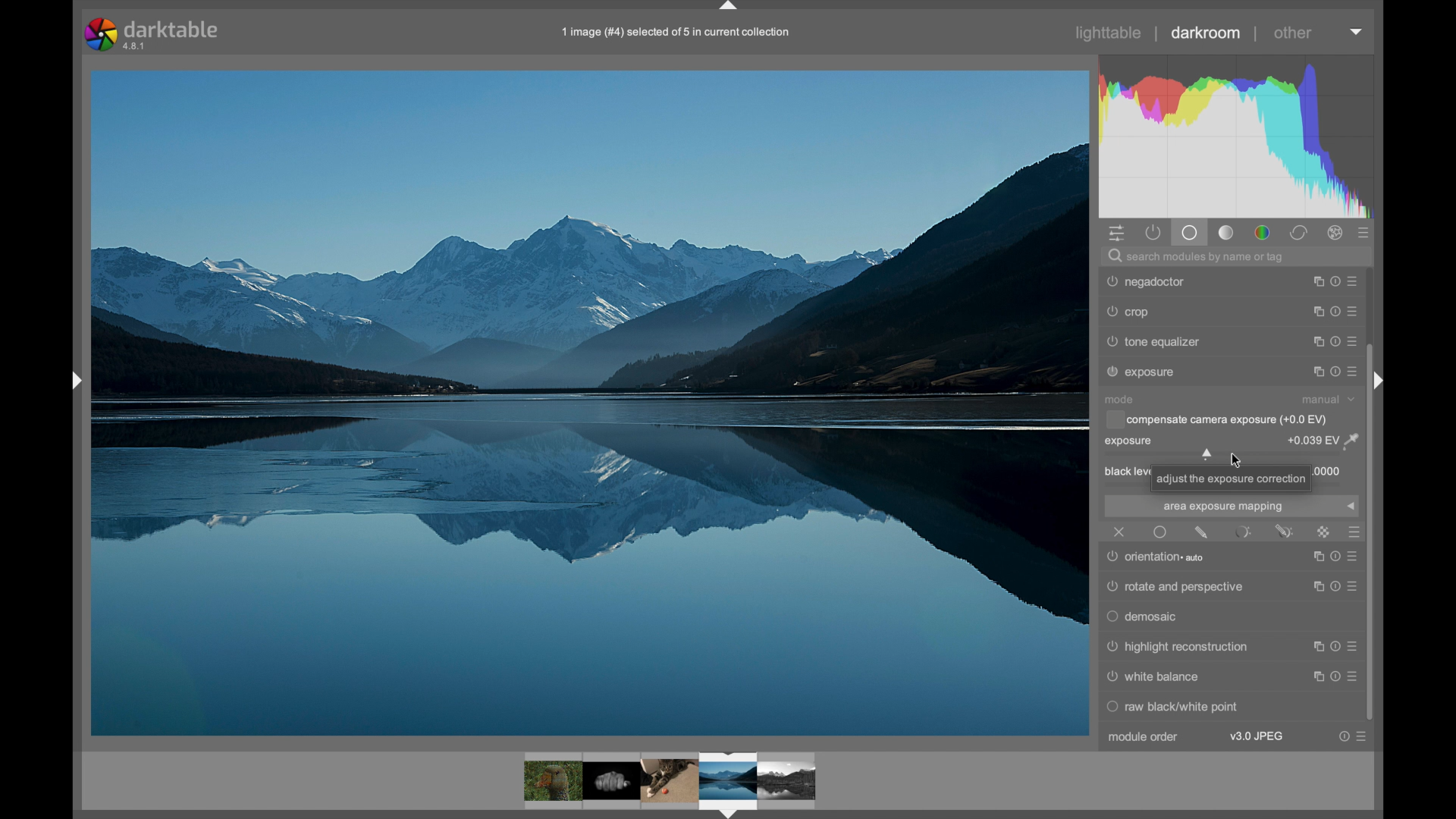  What do you see at coordinates (1235, 135) in the screenshot?
I see `histogram` at bounding box center [1235, 135].